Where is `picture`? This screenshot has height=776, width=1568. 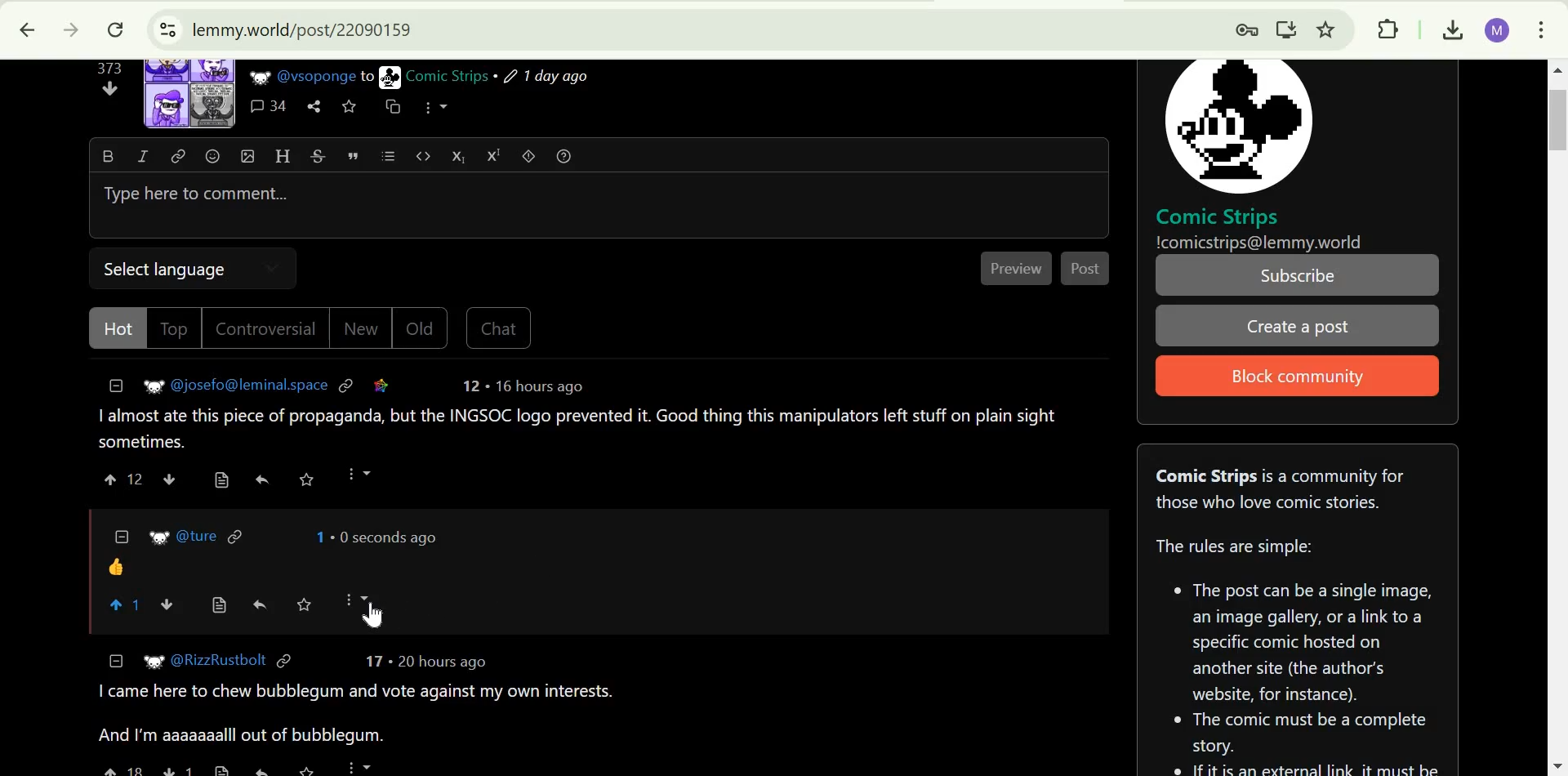 picture is located at coordinates (390, 77).